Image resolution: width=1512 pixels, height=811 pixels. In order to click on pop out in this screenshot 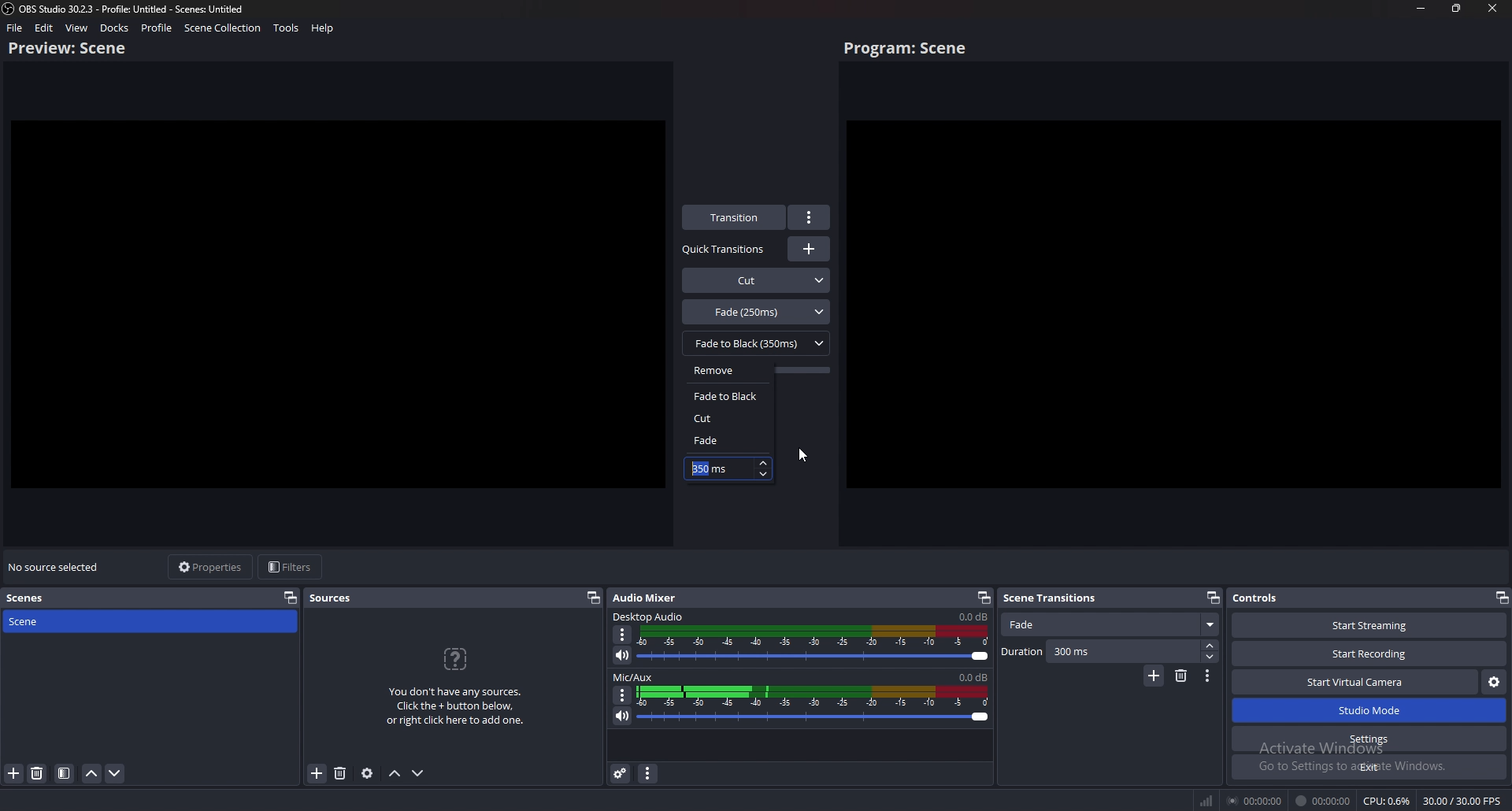, I will do `click(593, 598)`.